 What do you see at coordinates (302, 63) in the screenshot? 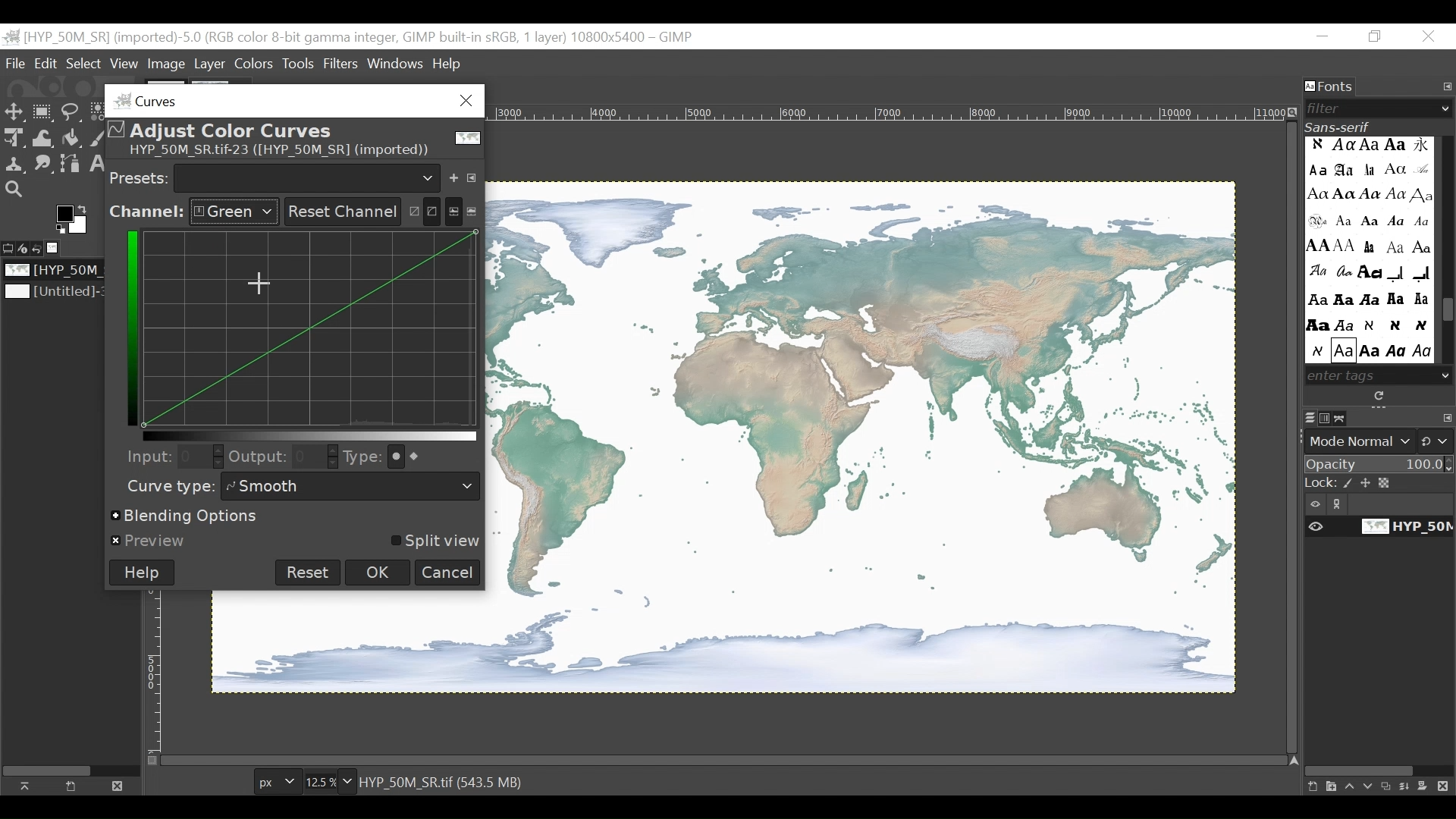
I see `Tools` at bounding box center [302, 63].